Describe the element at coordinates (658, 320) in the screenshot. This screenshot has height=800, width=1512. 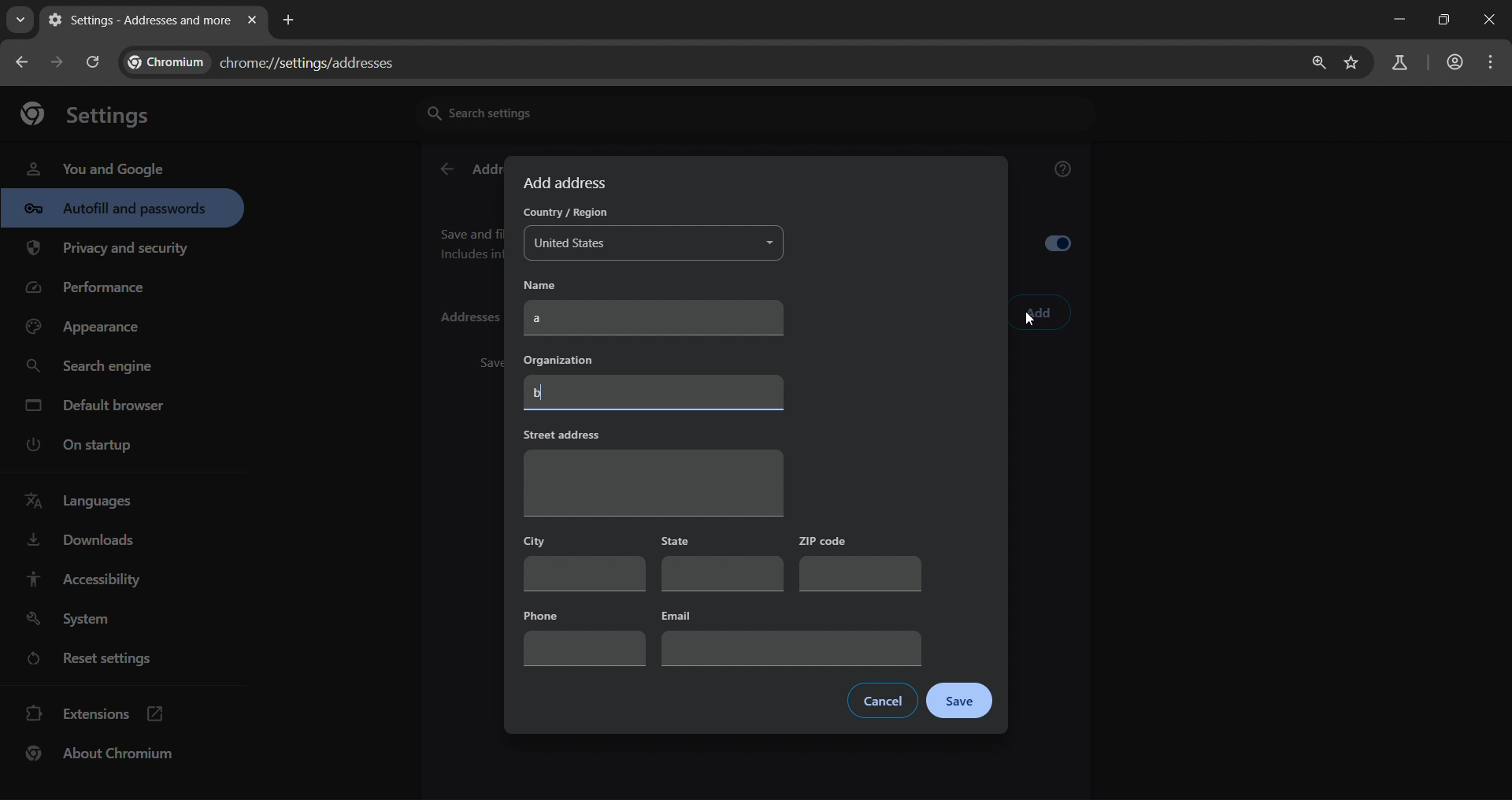
I see `a` at that location.